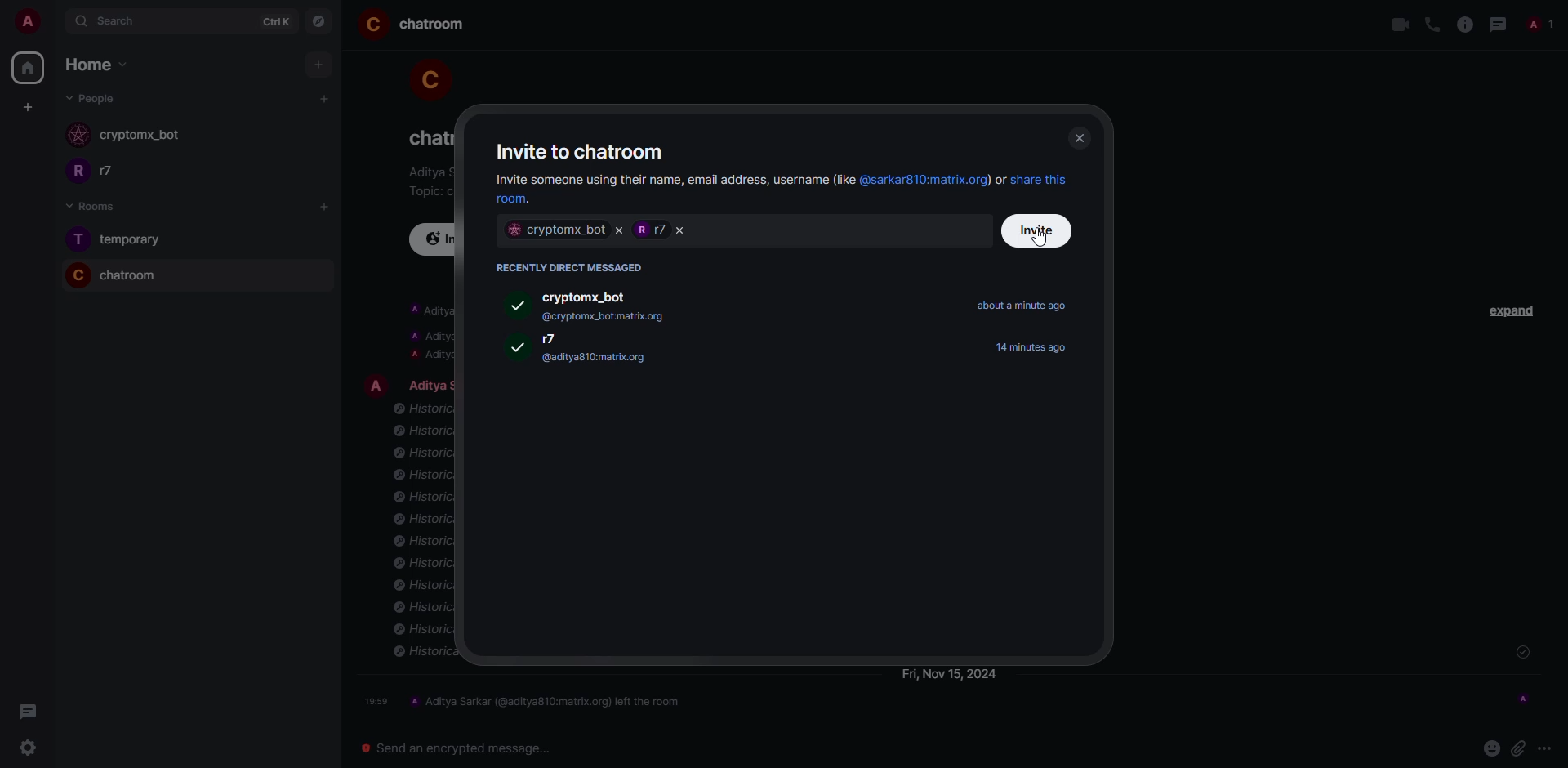  I want to click on add, so click(327, 206).